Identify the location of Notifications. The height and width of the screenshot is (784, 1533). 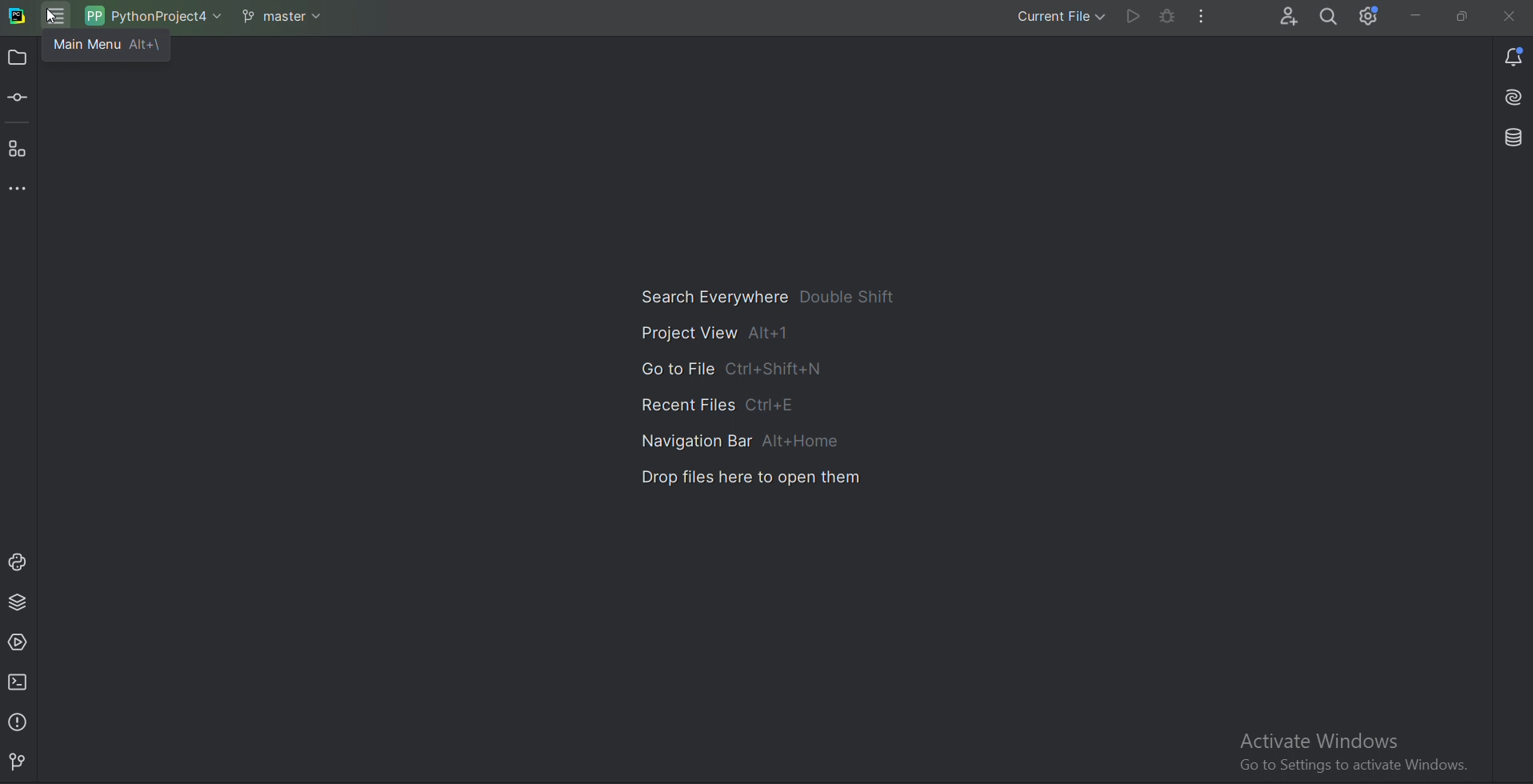
(1515, 57).